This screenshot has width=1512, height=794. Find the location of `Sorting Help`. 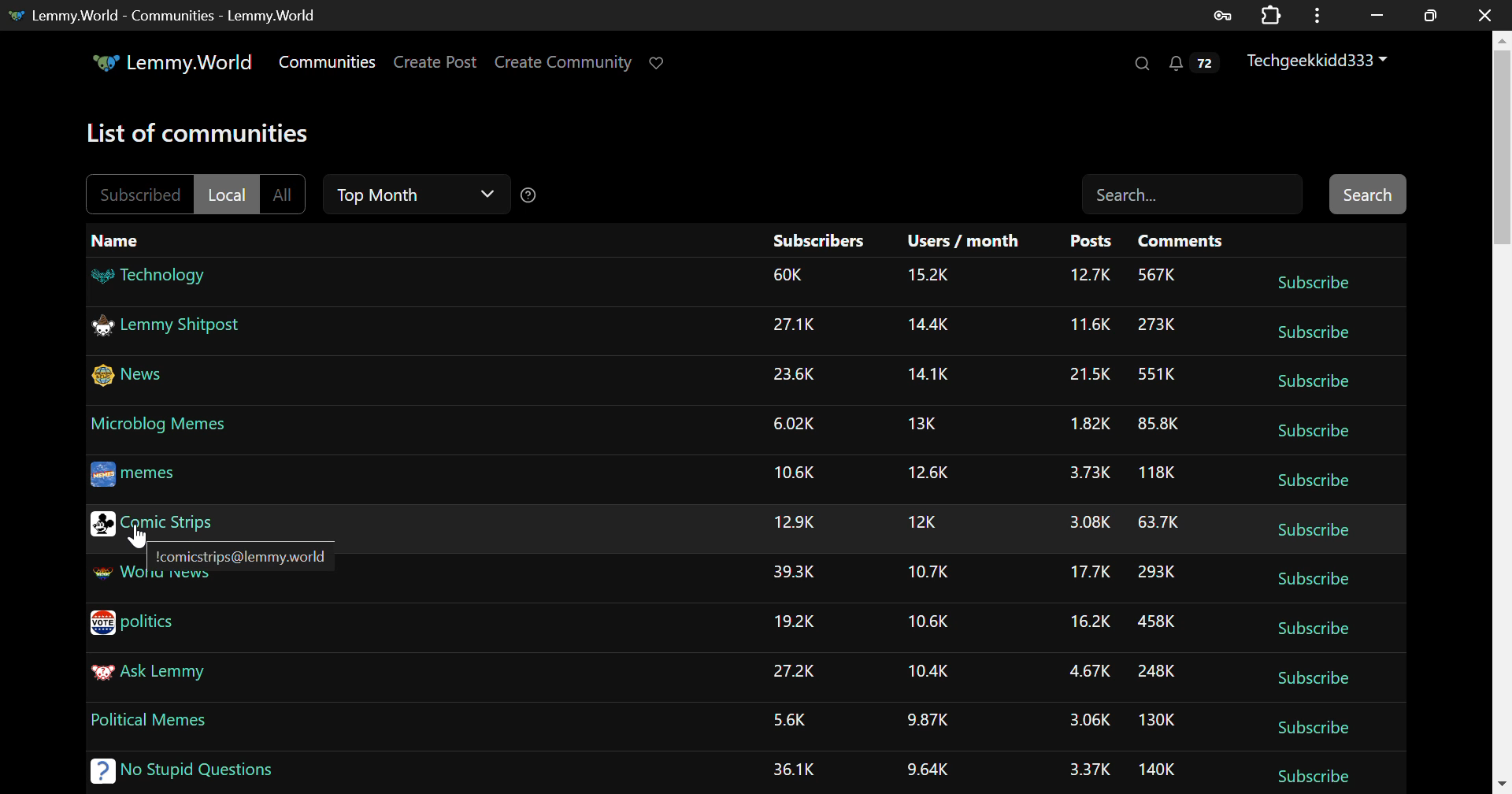

Sorting Help is located at coordinates (533, 195).